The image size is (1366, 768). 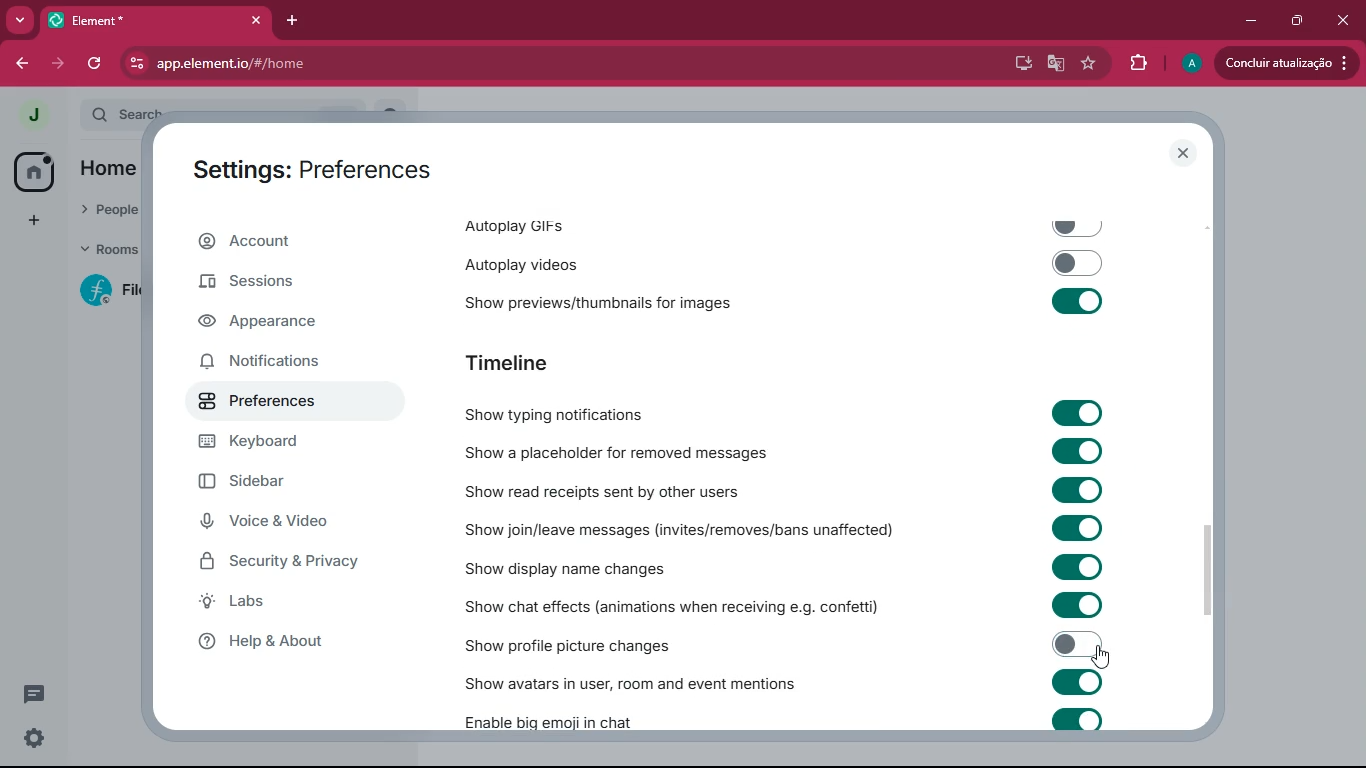 I want to click on back, so click(x=23, y=64).